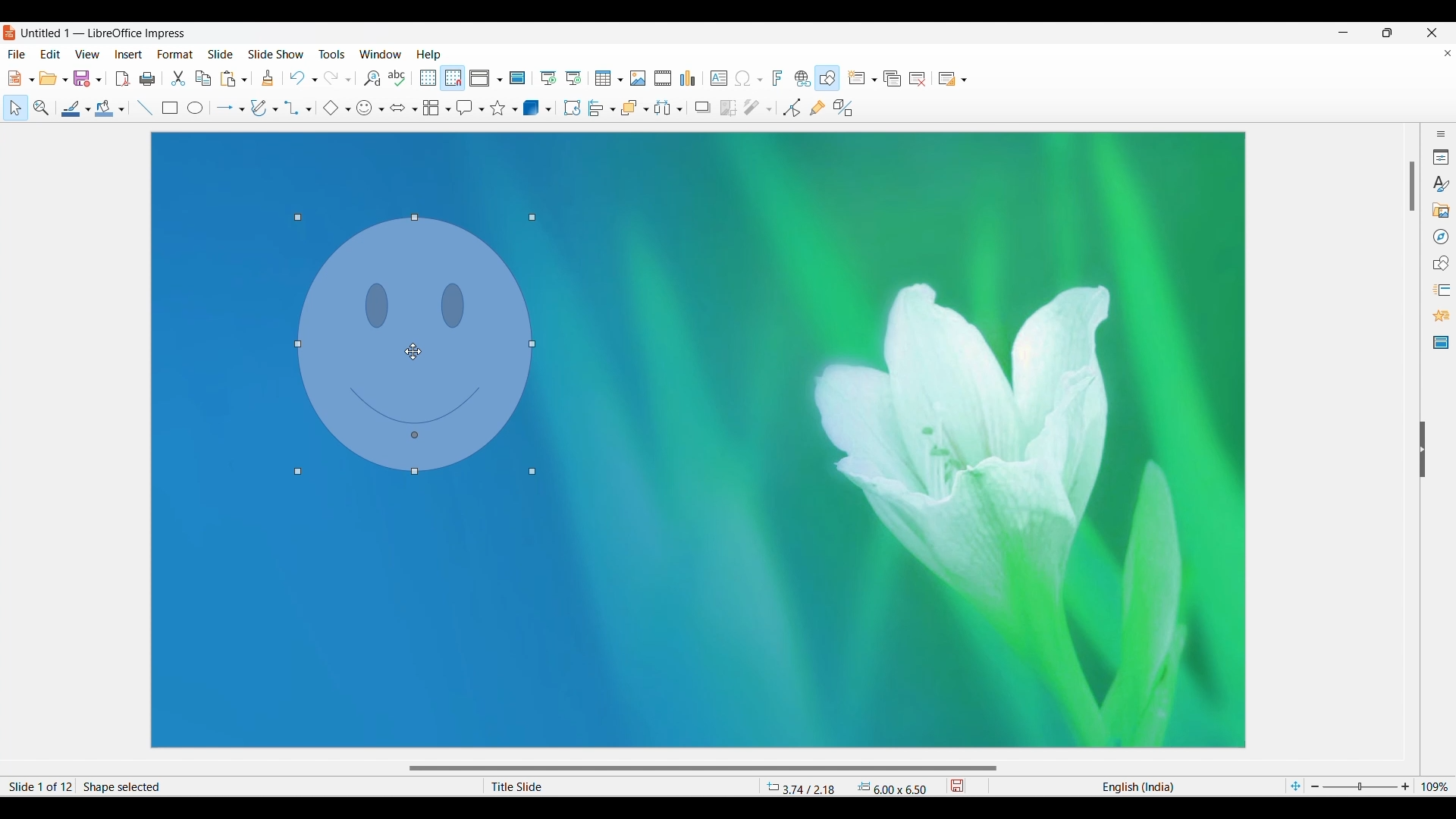 This screenshot has width=1456, height=819. What do you see at coordinates (1344, 33) in the screenshot?
I see `Minimize` at bounding box center [1344, 33].